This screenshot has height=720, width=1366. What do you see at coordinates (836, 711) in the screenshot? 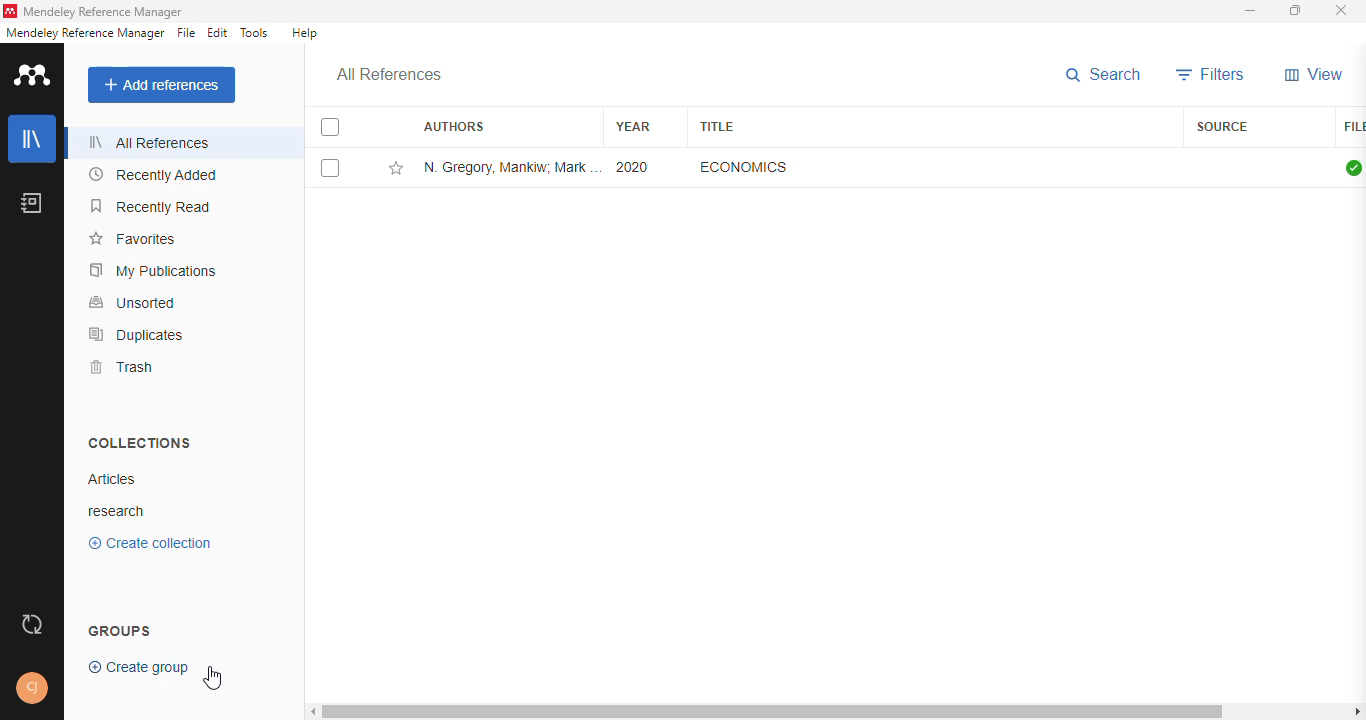
I see `horizontal scroll bar` at bounding box center [836, 711].